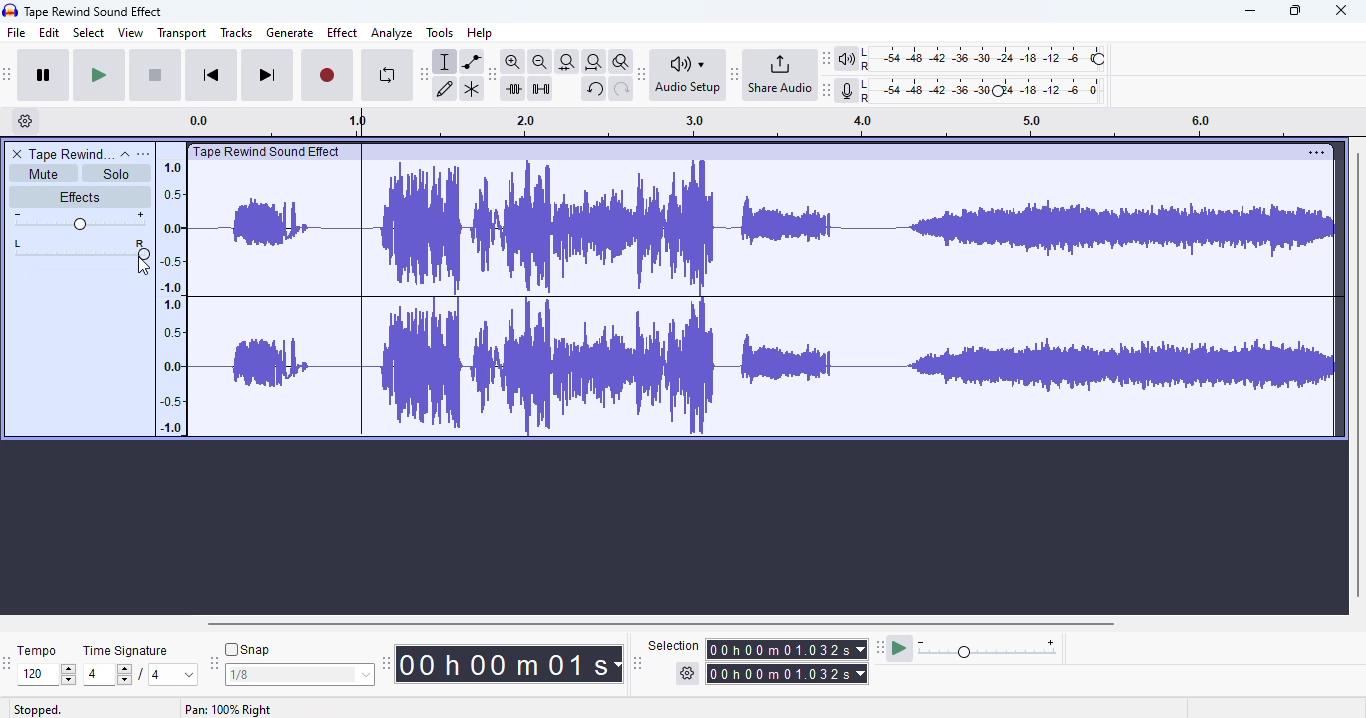 Image resolution: width=1366 pixels, height=718 pixels. What do you see at coordinates (392, 33) in the screenshot?
I see `analyze` at bounding box center [392, 33].